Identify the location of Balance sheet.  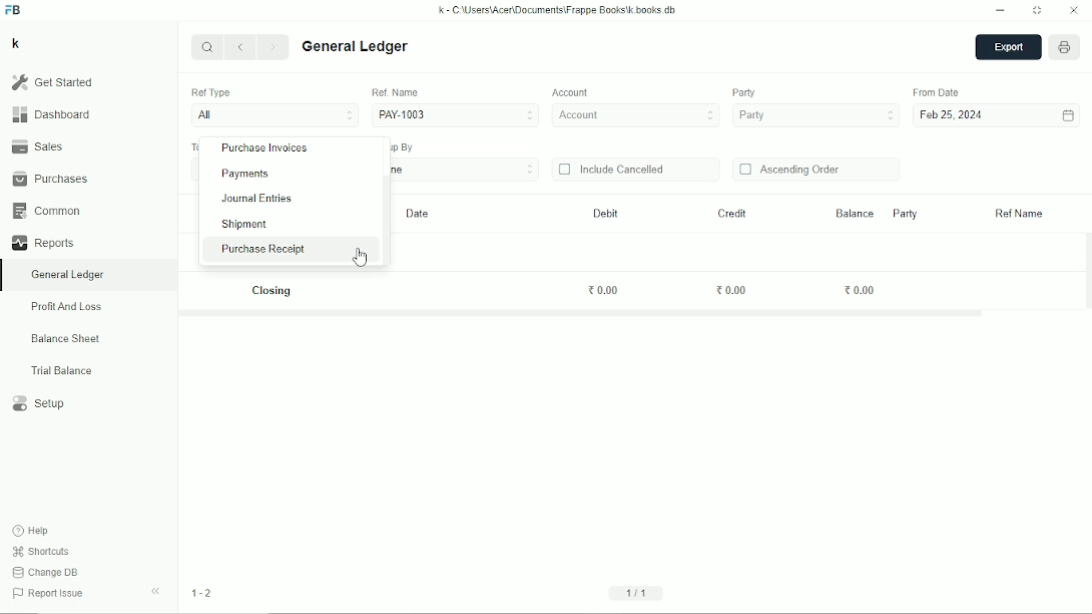
(66, 338).